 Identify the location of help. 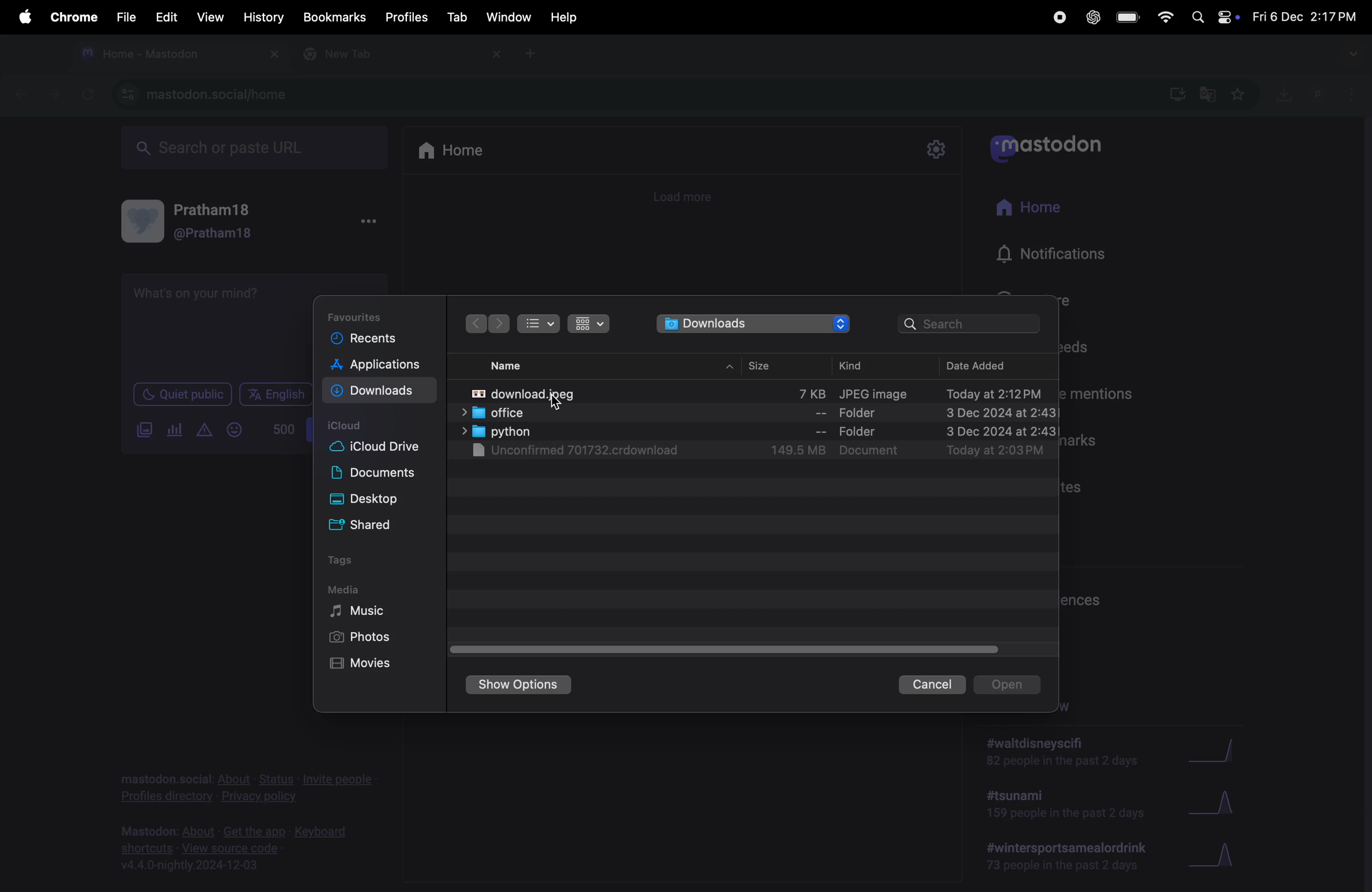
(564, 17).